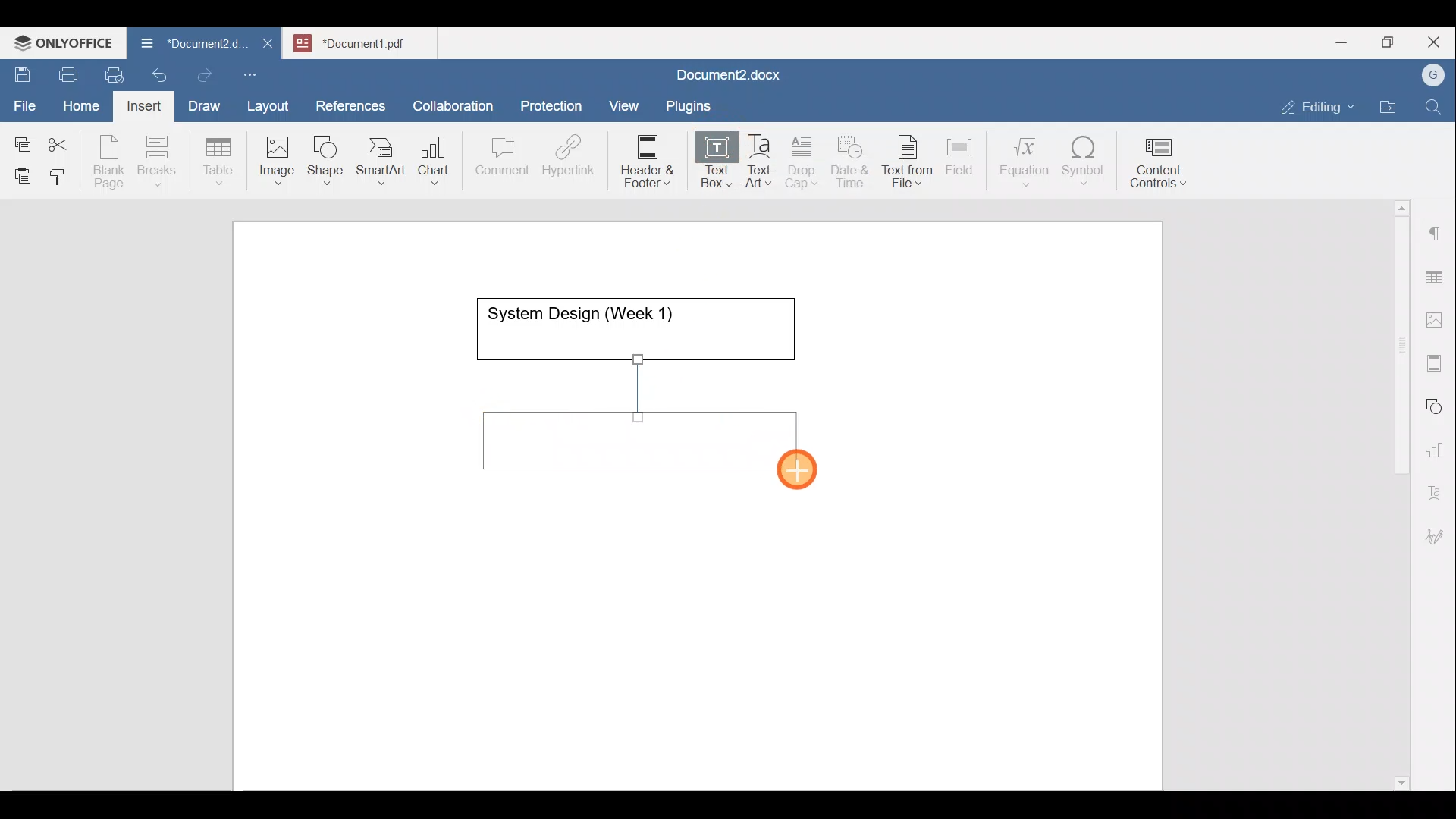 This screenshot has width=1456, height=819. What do you see at coordinates (369, 41) in the screenshot?
I see `Document name` at bounding box center [369, 41].